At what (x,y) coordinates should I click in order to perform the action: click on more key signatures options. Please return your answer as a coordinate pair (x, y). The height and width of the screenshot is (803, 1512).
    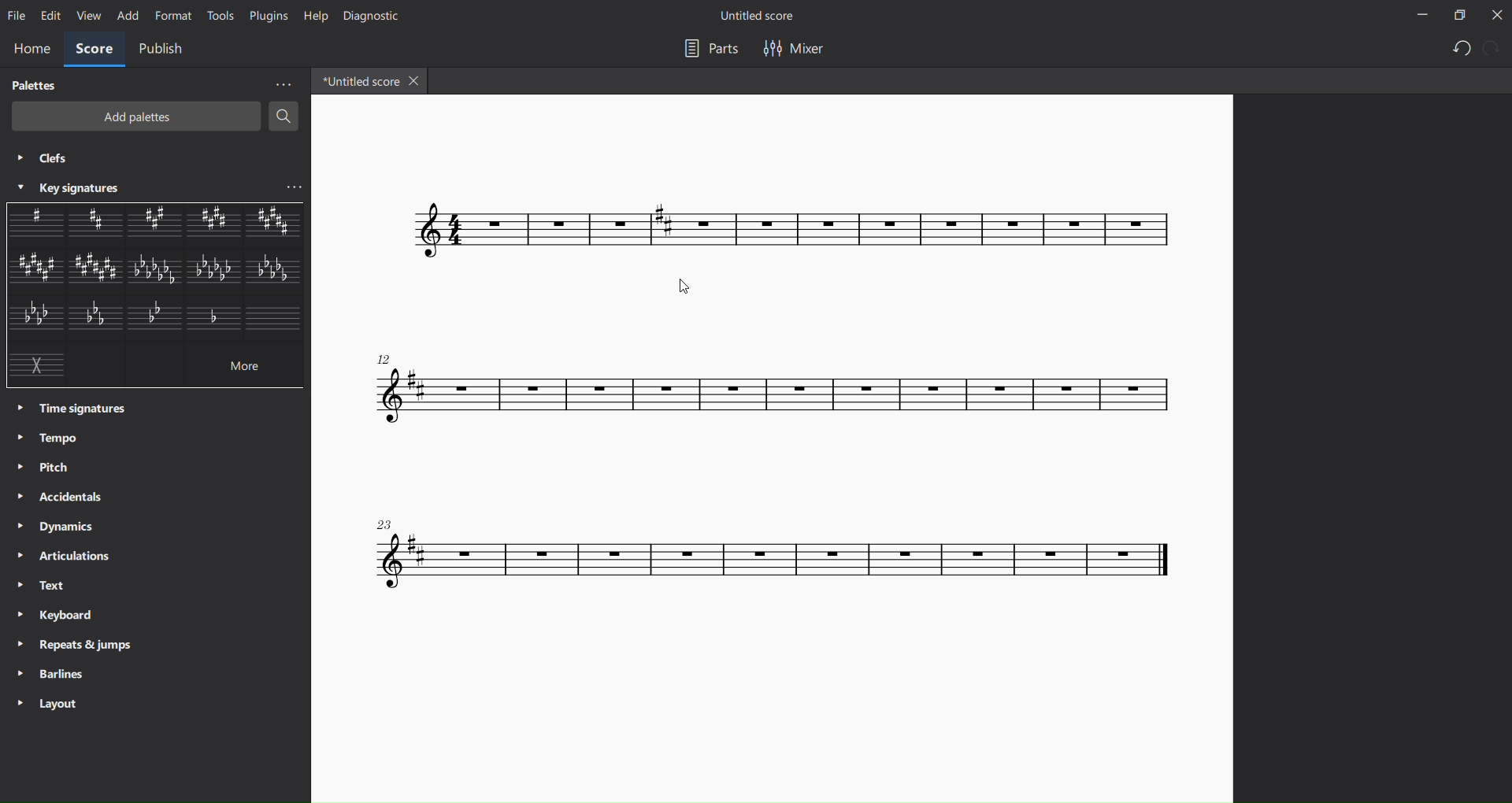
    Looking at the image, I should click on (296, 191).